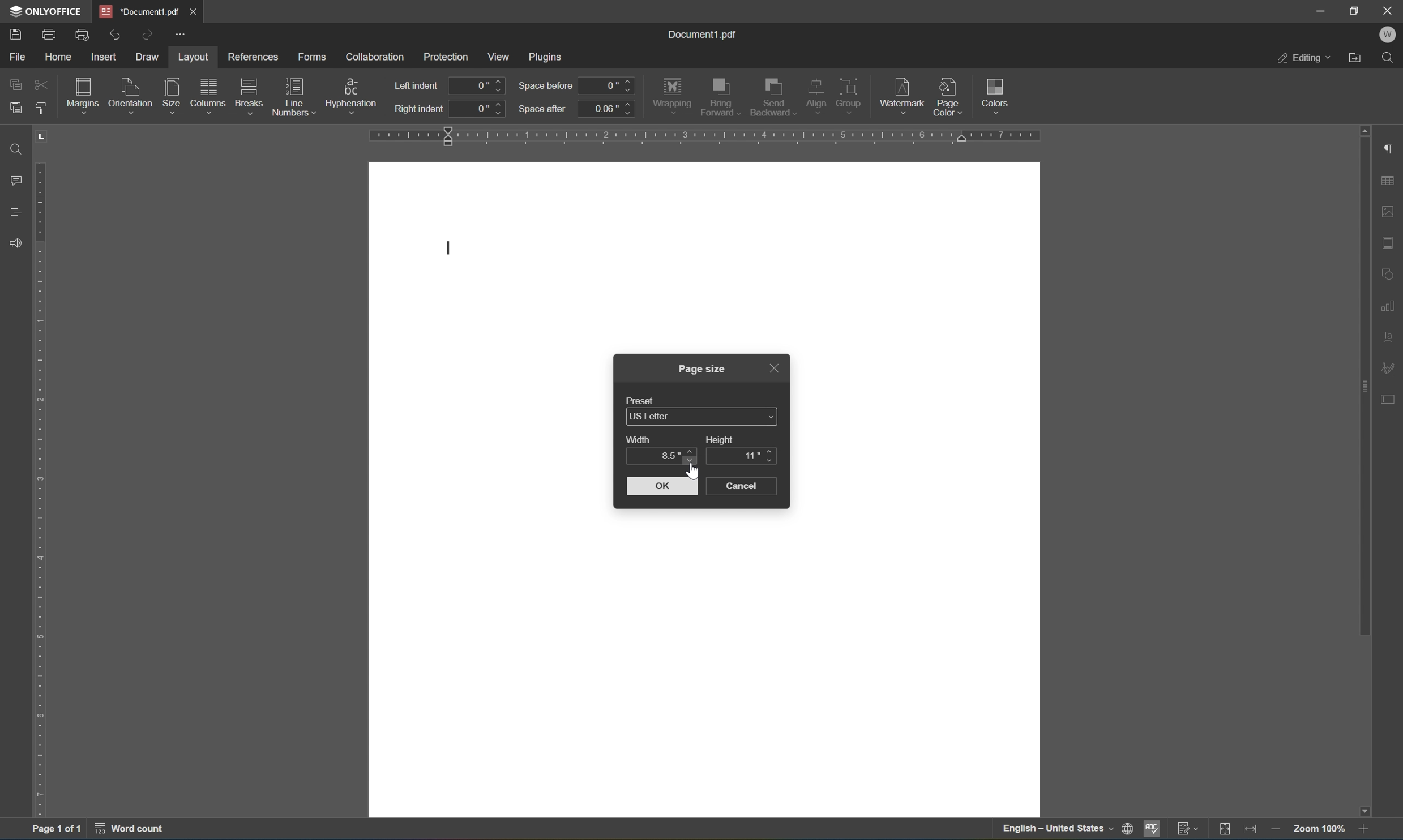  Describe the element at coordinates (15, 107) in the screenshot. I see `paste` at that location.